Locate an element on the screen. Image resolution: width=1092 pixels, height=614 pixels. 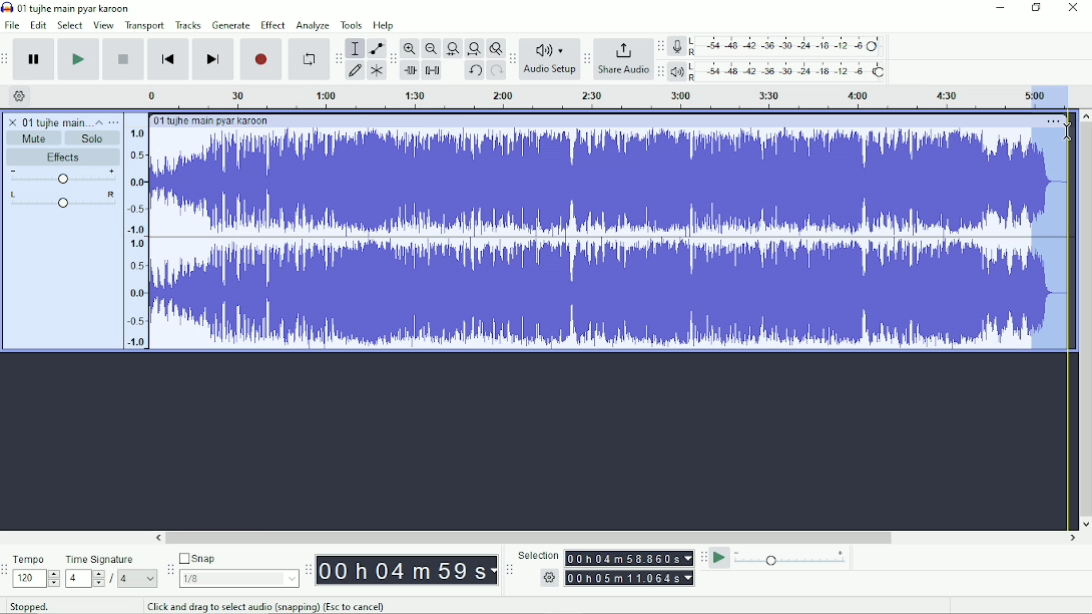
Fit project to width is located at coordinates (474, 48).